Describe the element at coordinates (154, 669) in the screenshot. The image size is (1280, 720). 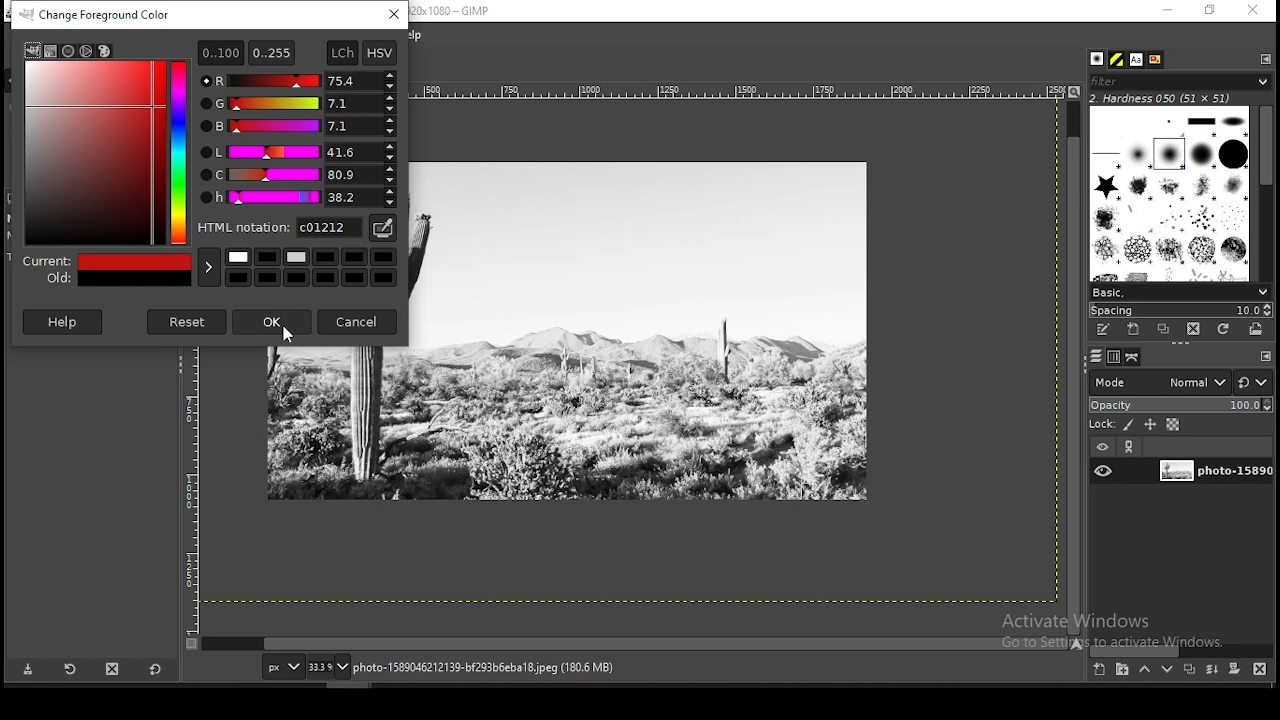
I see `reset to defaults` at that location.